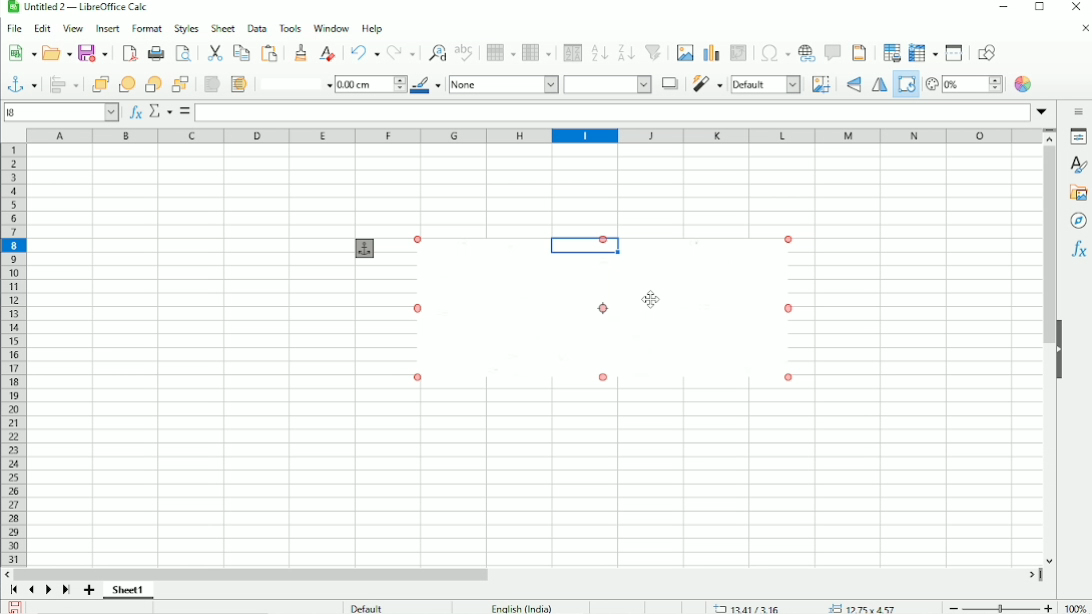  I want to click on Freeze rows and columns, so click(923, 53).